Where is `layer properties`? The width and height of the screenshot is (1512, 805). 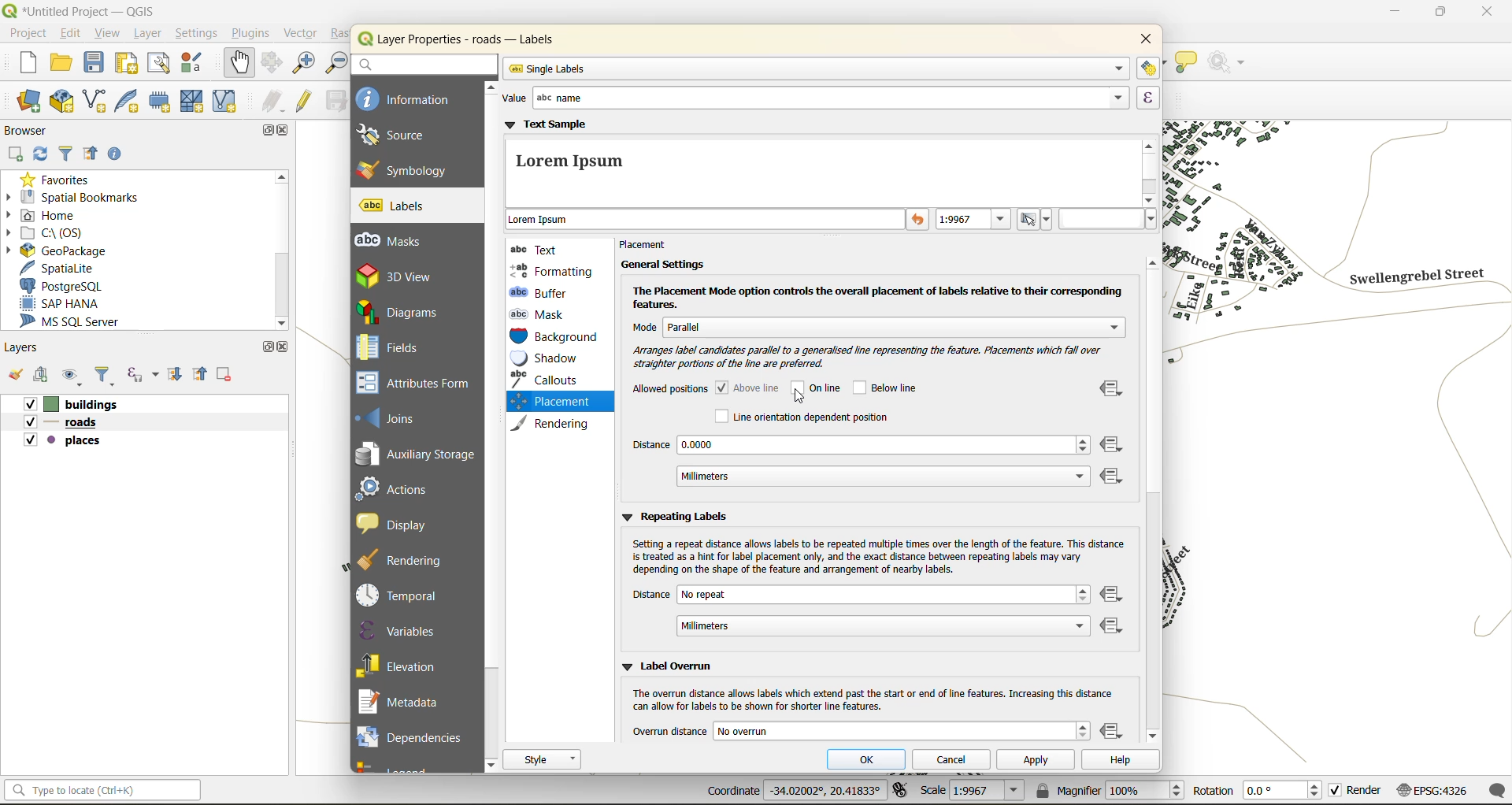 layer properties is located at coordinates (472, 39).